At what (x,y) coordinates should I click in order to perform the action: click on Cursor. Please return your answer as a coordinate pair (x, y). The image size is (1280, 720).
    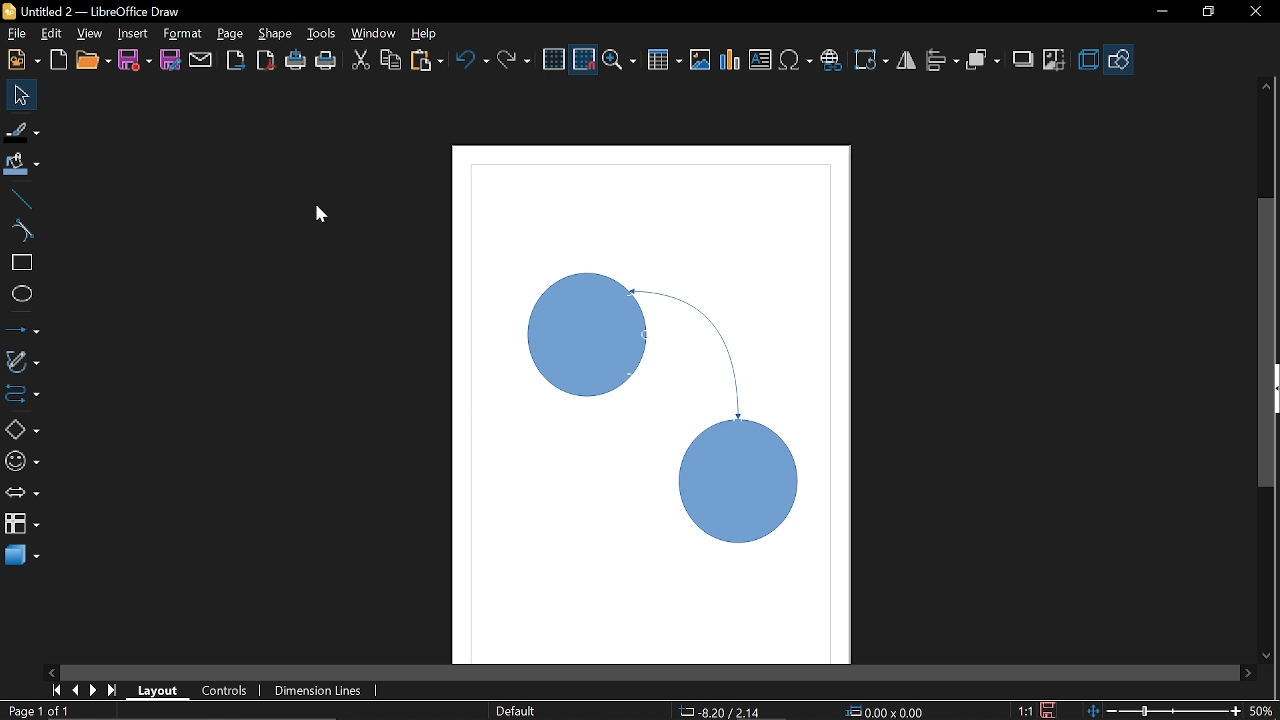
    Looking at the image, I should click on (323, 212).